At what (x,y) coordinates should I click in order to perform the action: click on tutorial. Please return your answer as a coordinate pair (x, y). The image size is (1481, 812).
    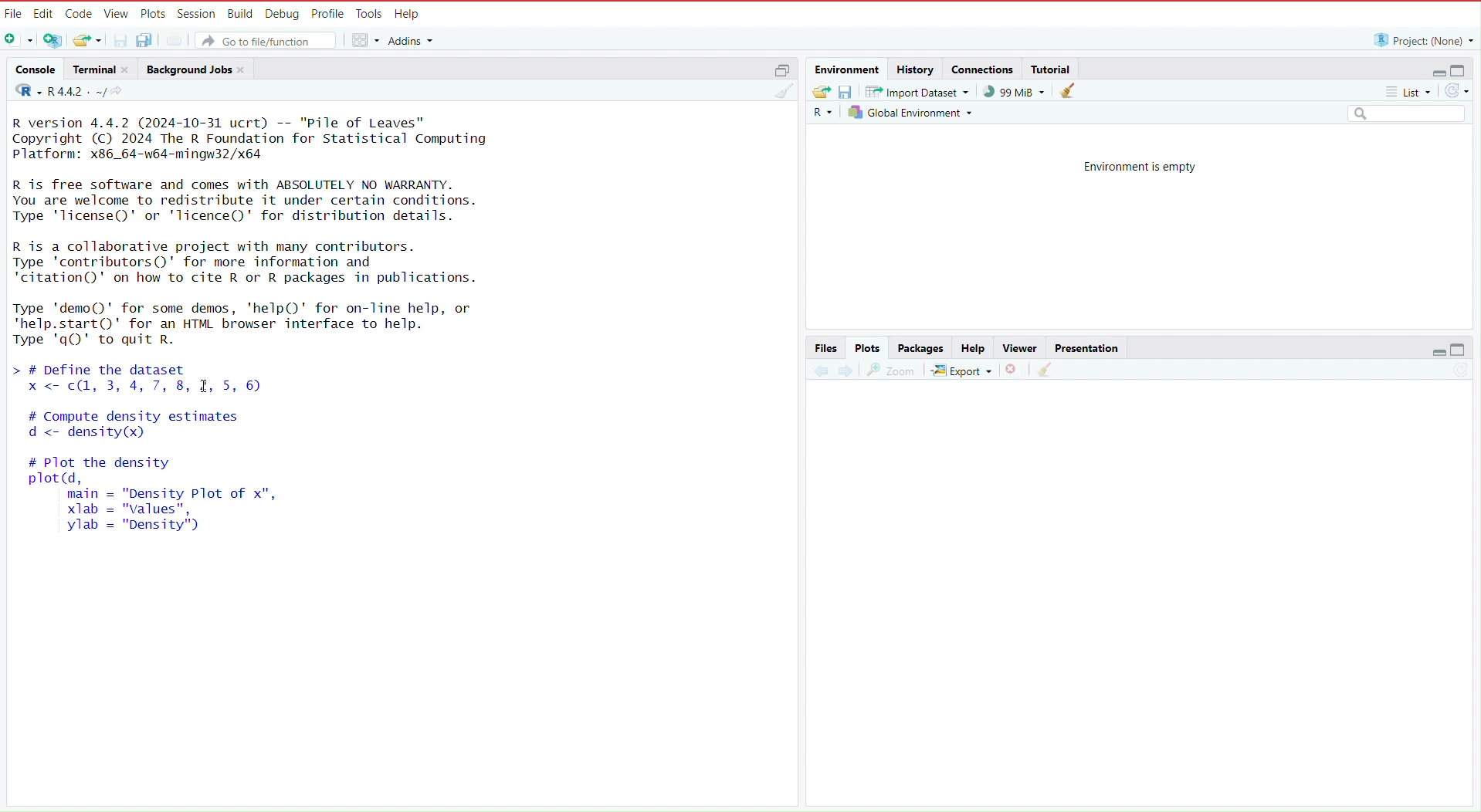
    Looking at the image, I should click on (1051, 66).